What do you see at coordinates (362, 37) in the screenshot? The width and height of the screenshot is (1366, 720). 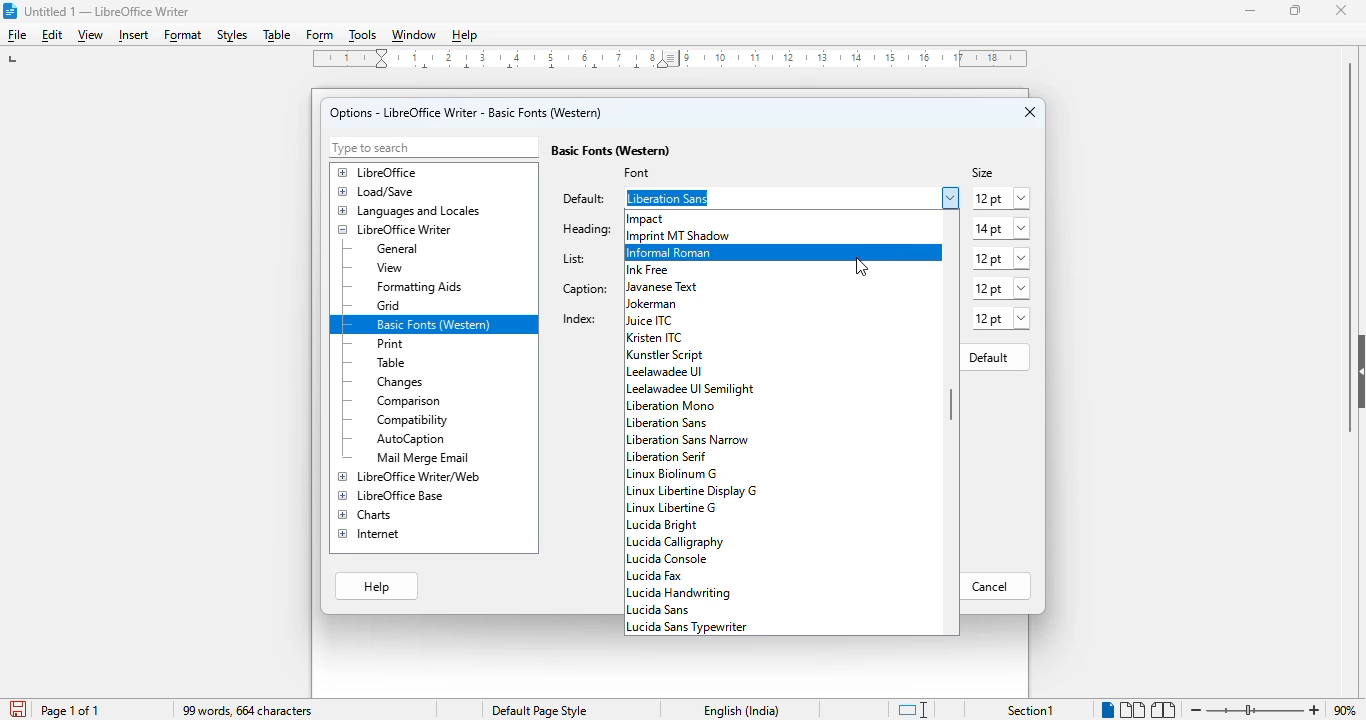 I see `tools` at bounding box center [362, 37].